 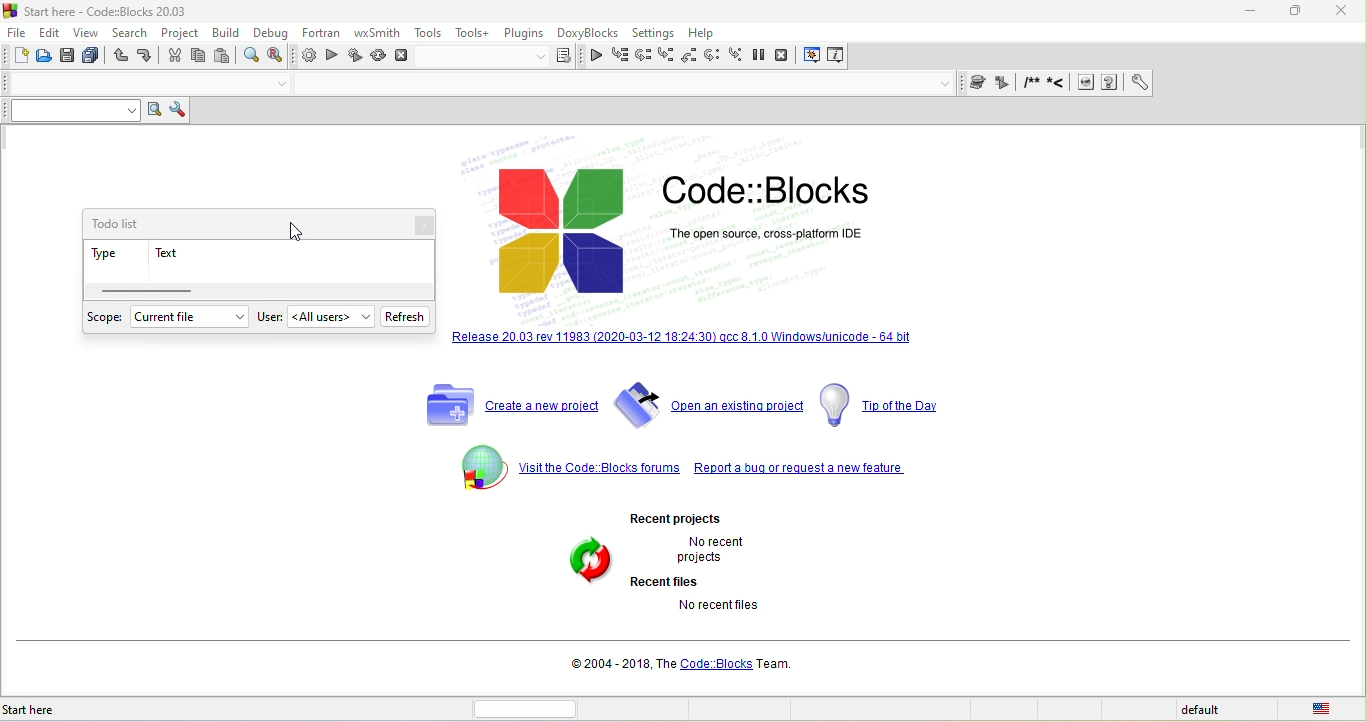 I want to click on next instruction, so click(x=716, y=57).